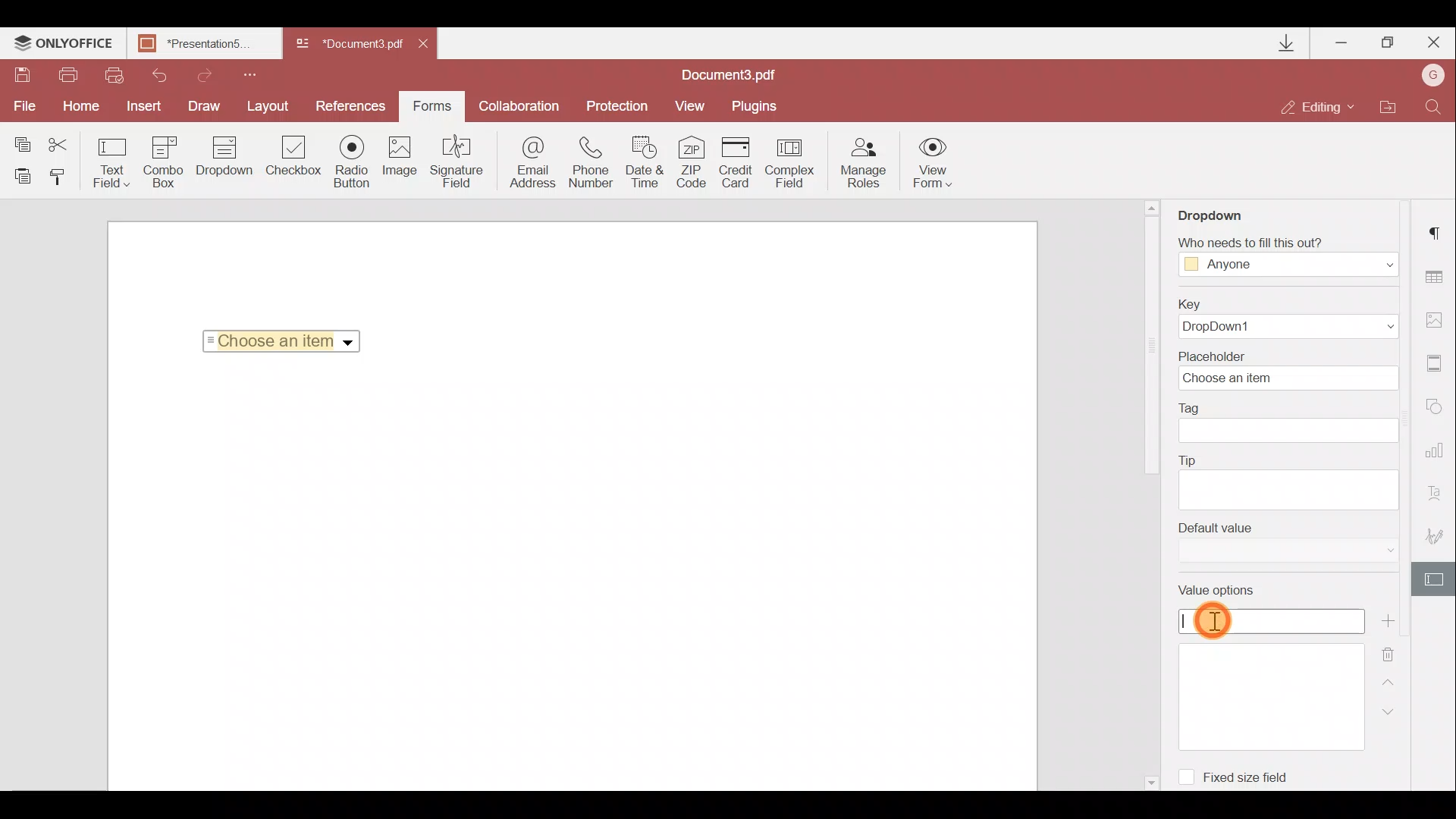  What do you see at coordinates (112, 162) in the screenshot?
I see `Text field` at bounding box center [112, 162].